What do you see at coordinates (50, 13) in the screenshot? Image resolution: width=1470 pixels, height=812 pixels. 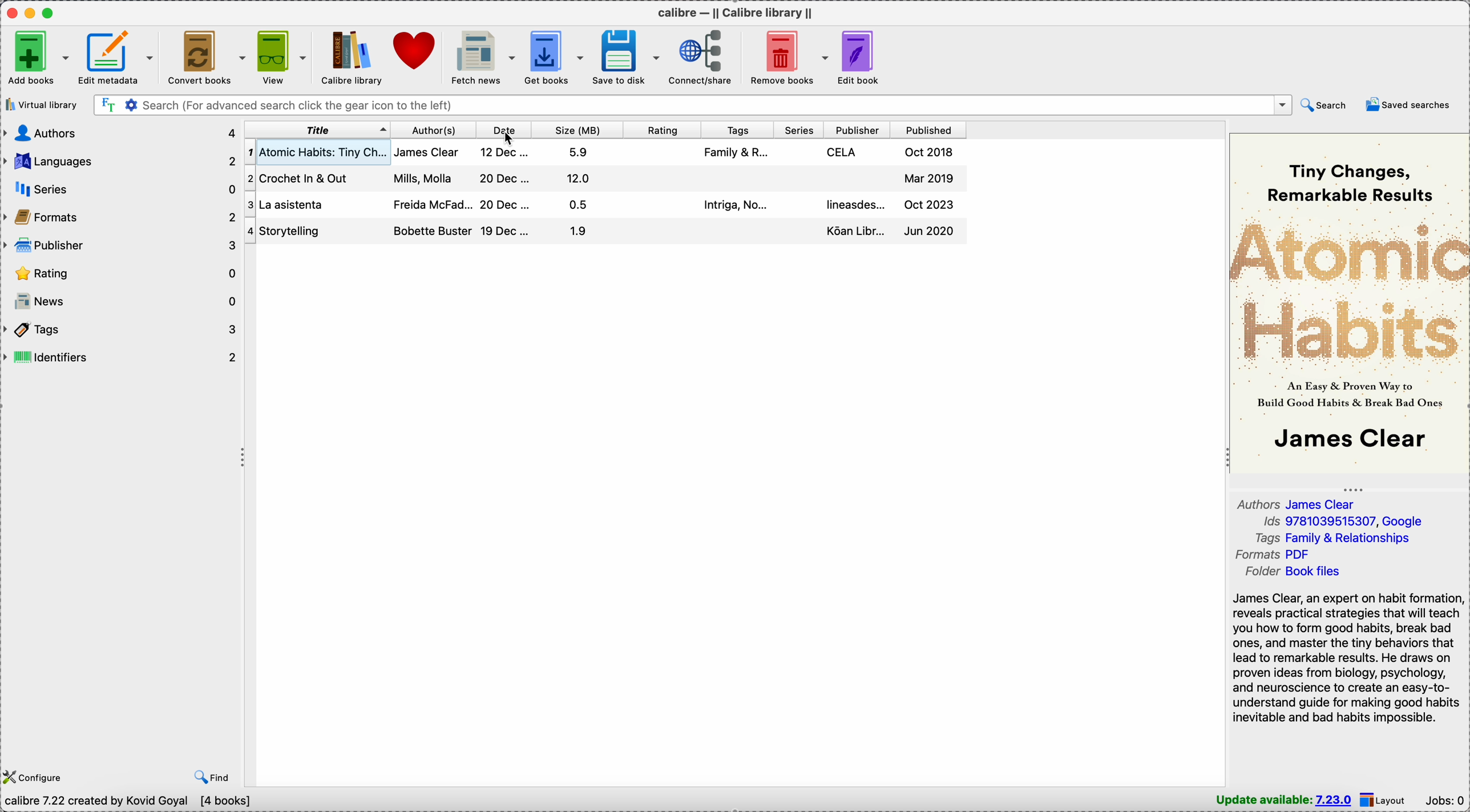 I see `maximize program` at bounding box center [50, 13].